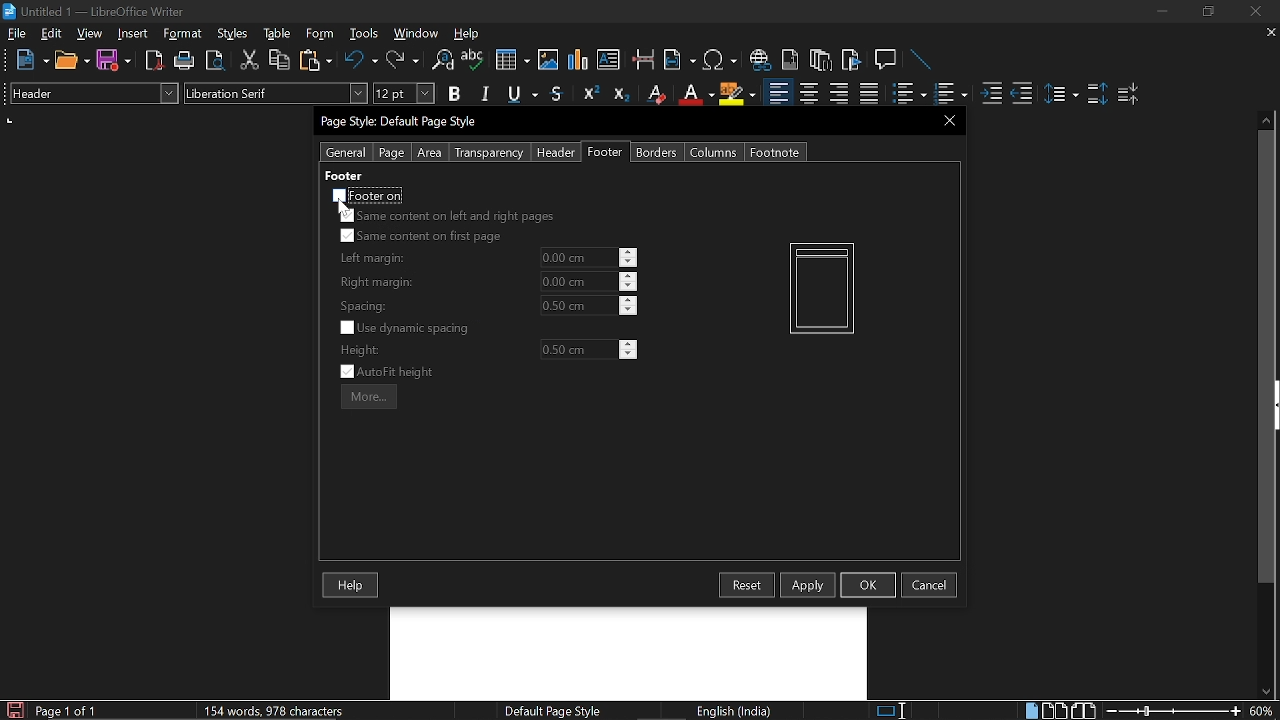  Describe the element at coordinates (468, 33) in the screenshot. I see `HElp` at that location.